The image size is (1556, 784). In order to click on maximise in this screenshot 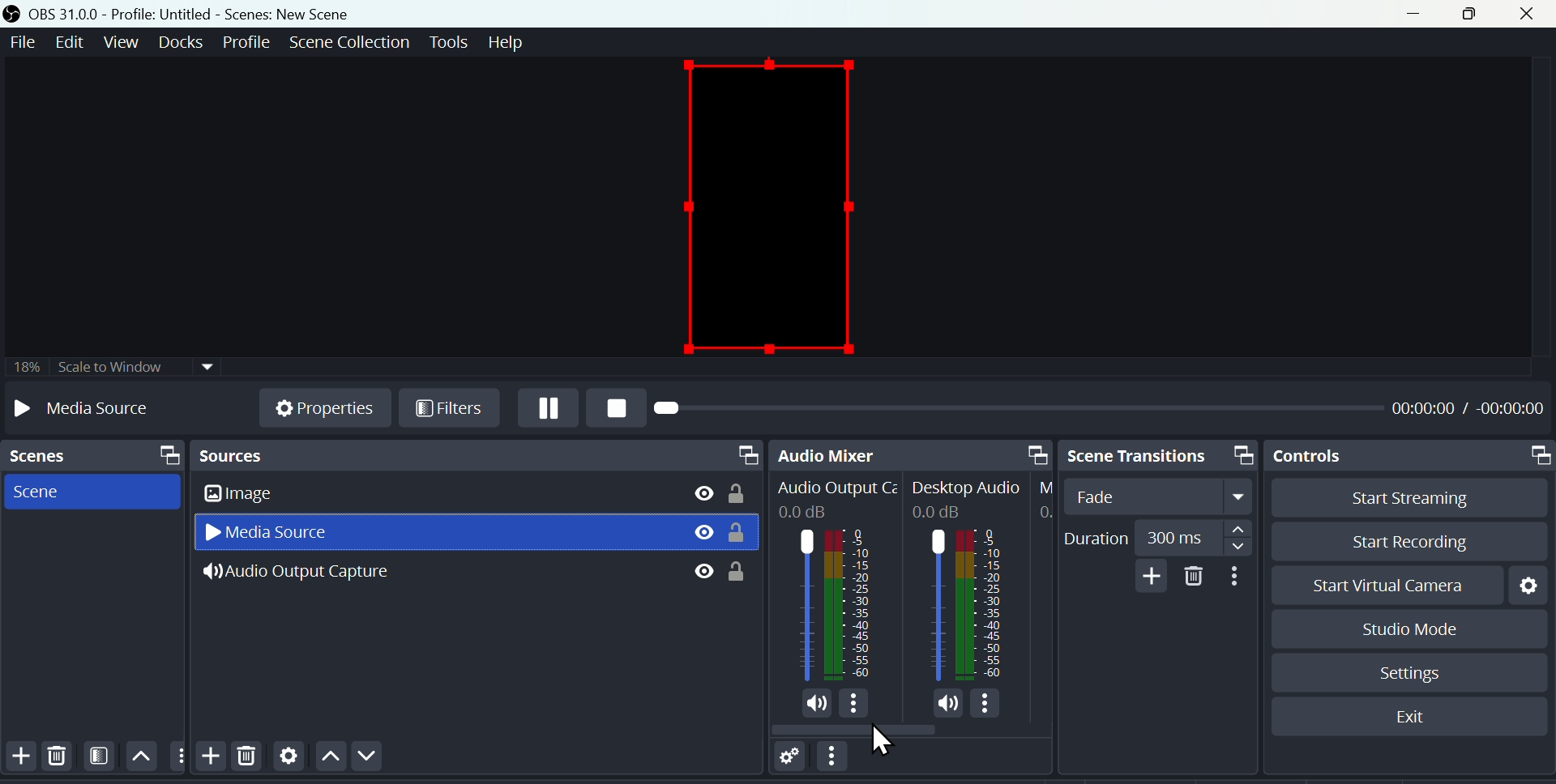, I will do `click(1473, 15)`.